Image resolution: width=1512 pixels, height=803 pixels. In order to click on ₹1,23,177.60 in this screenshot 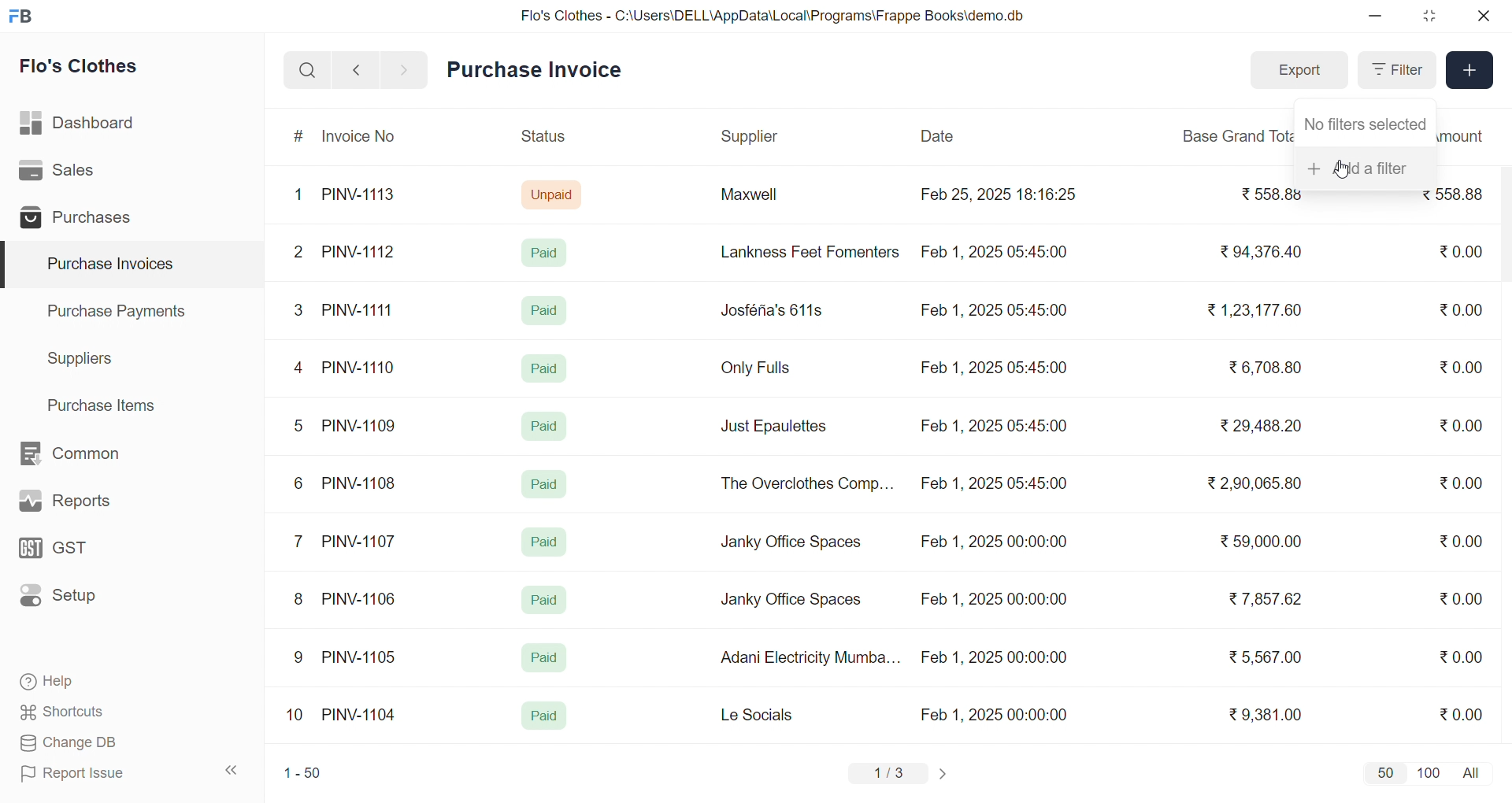, I will do `click(1252, 309)`.